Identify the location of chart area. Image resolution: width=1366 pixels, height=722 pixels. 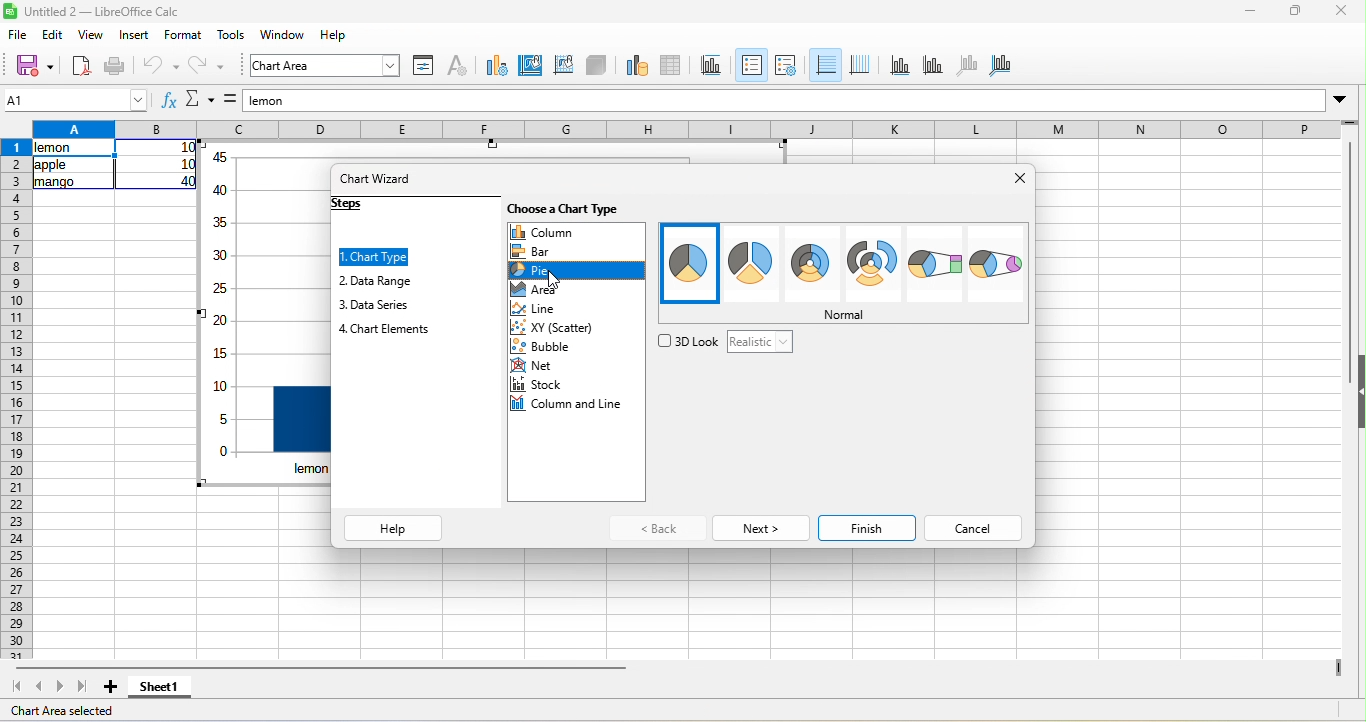
(528, 67).